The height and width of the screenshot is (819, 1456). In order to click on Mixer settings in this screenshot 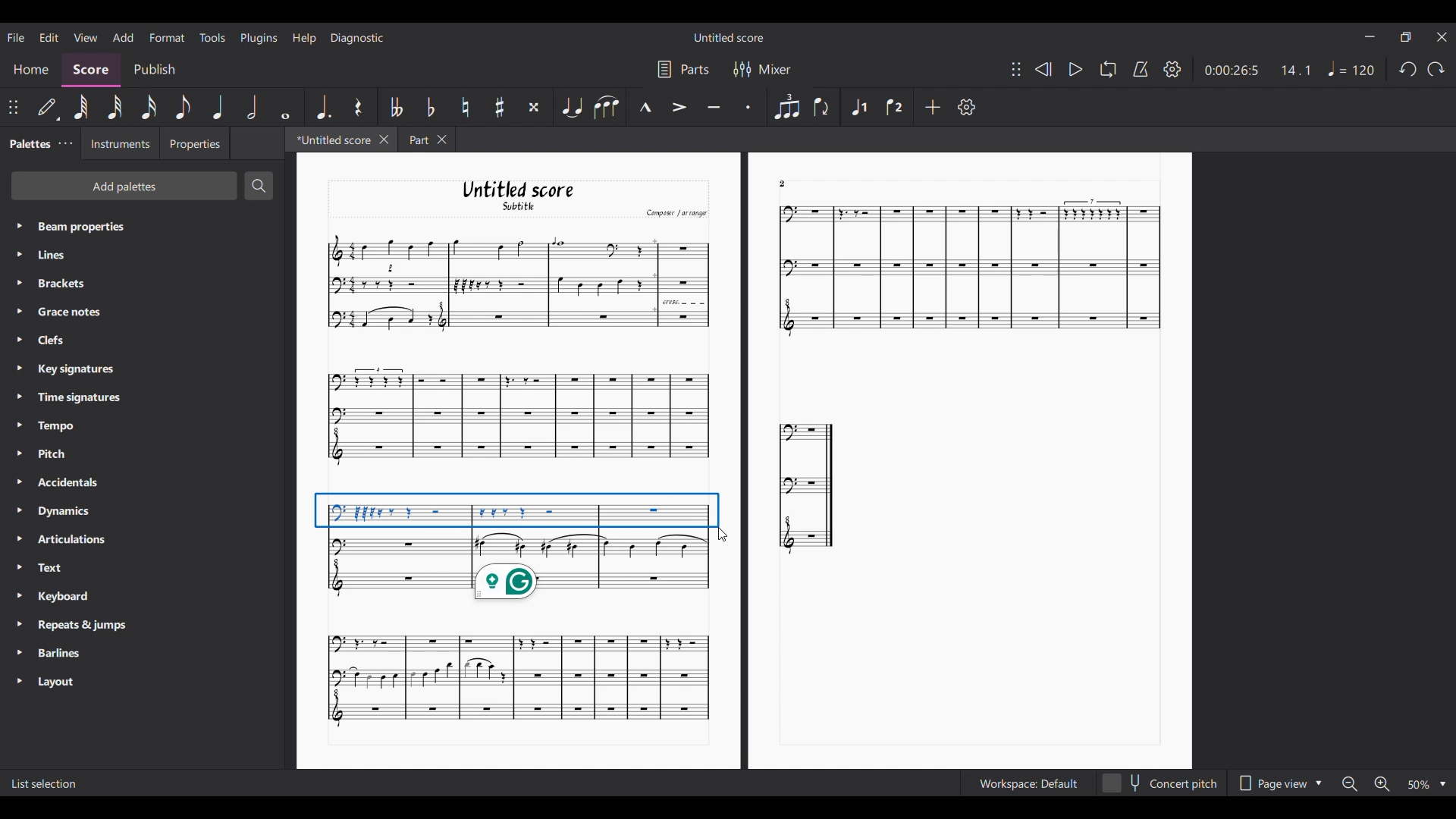, I will do `click(764, 69)`.